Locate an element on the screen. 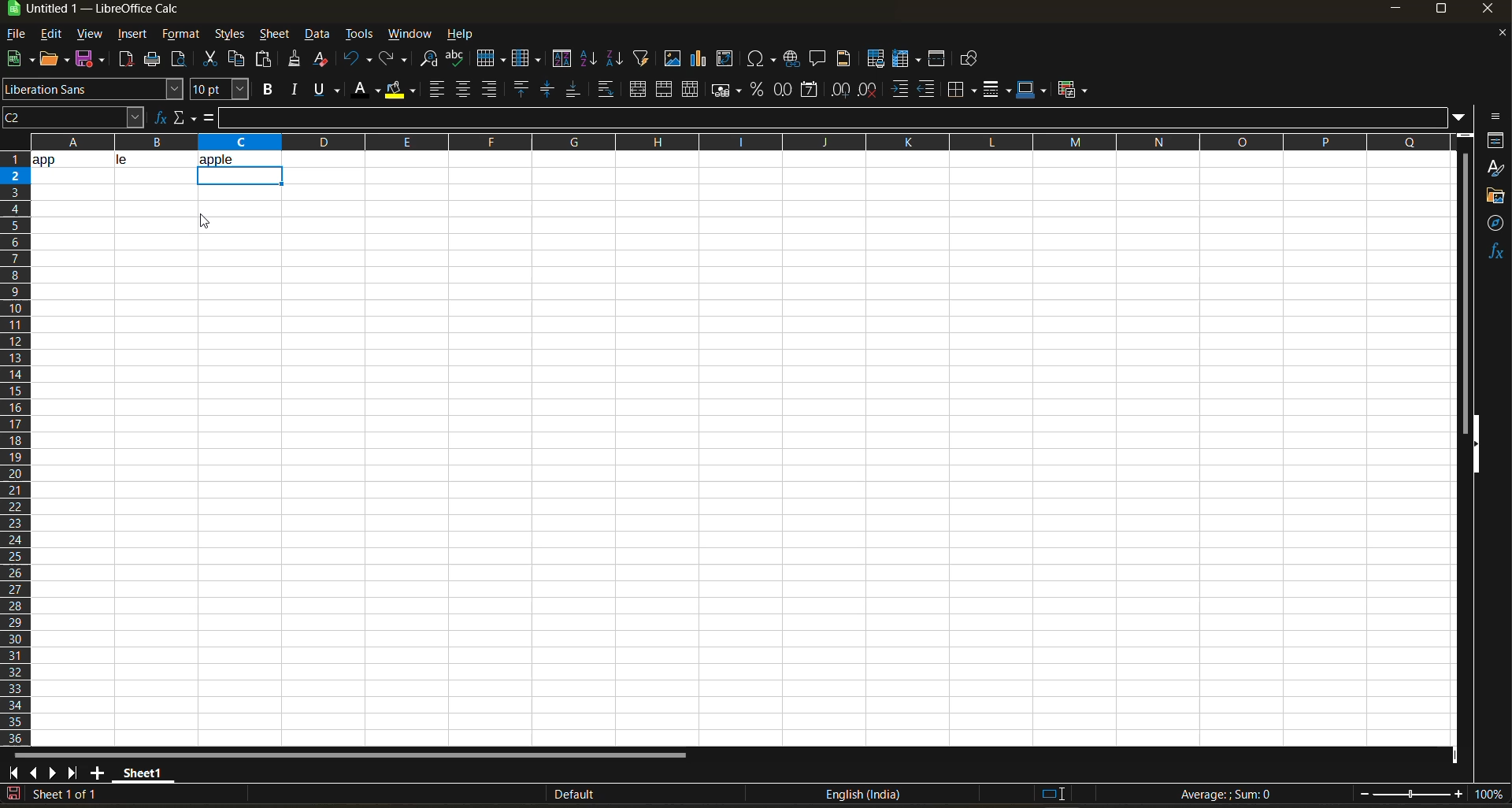 This screenshot has width=1512, height=808. functions is located at coordinates (1495, 251).